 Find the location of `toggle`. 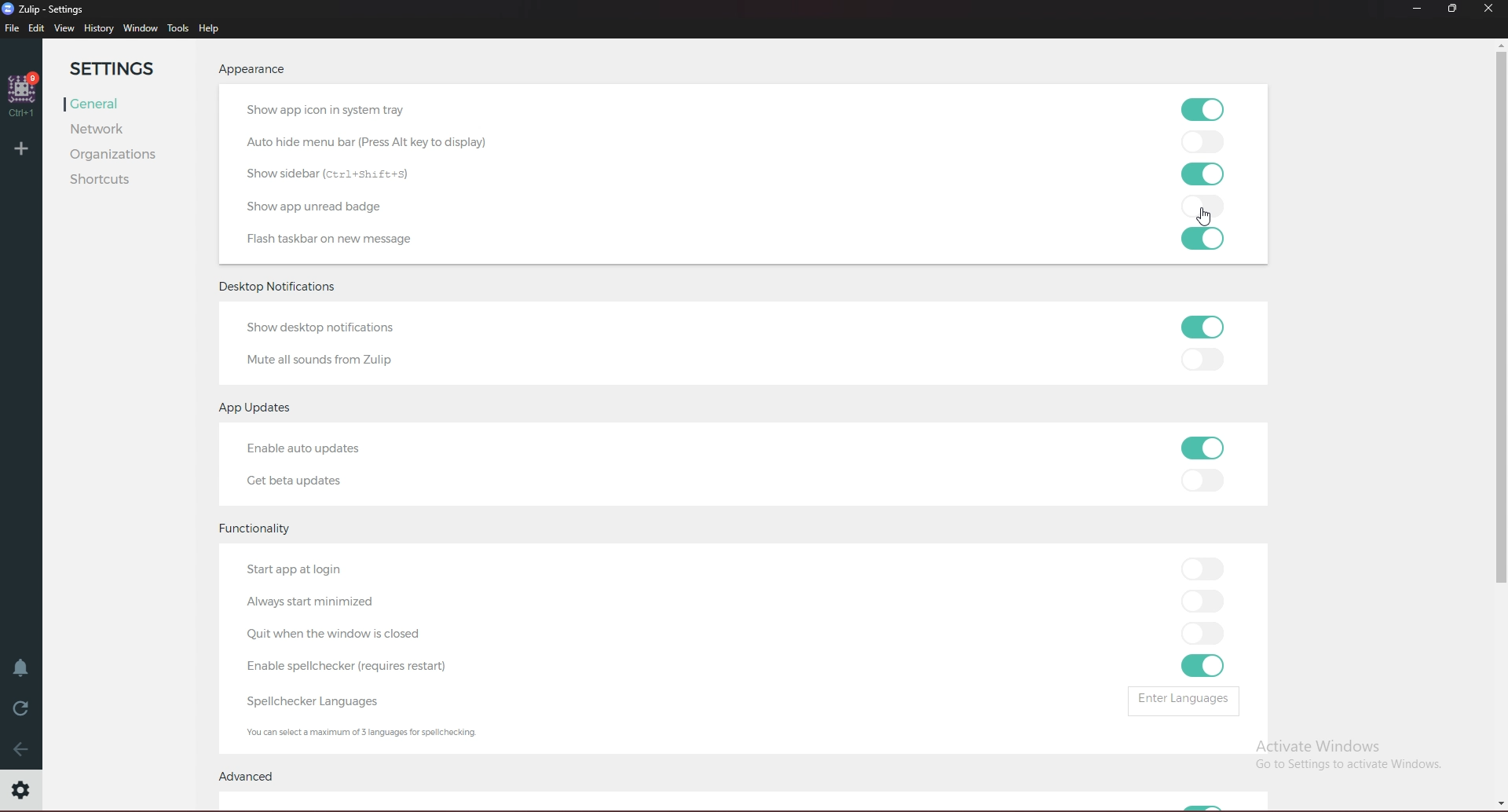

toggle is located at coordinates (1207, 634).